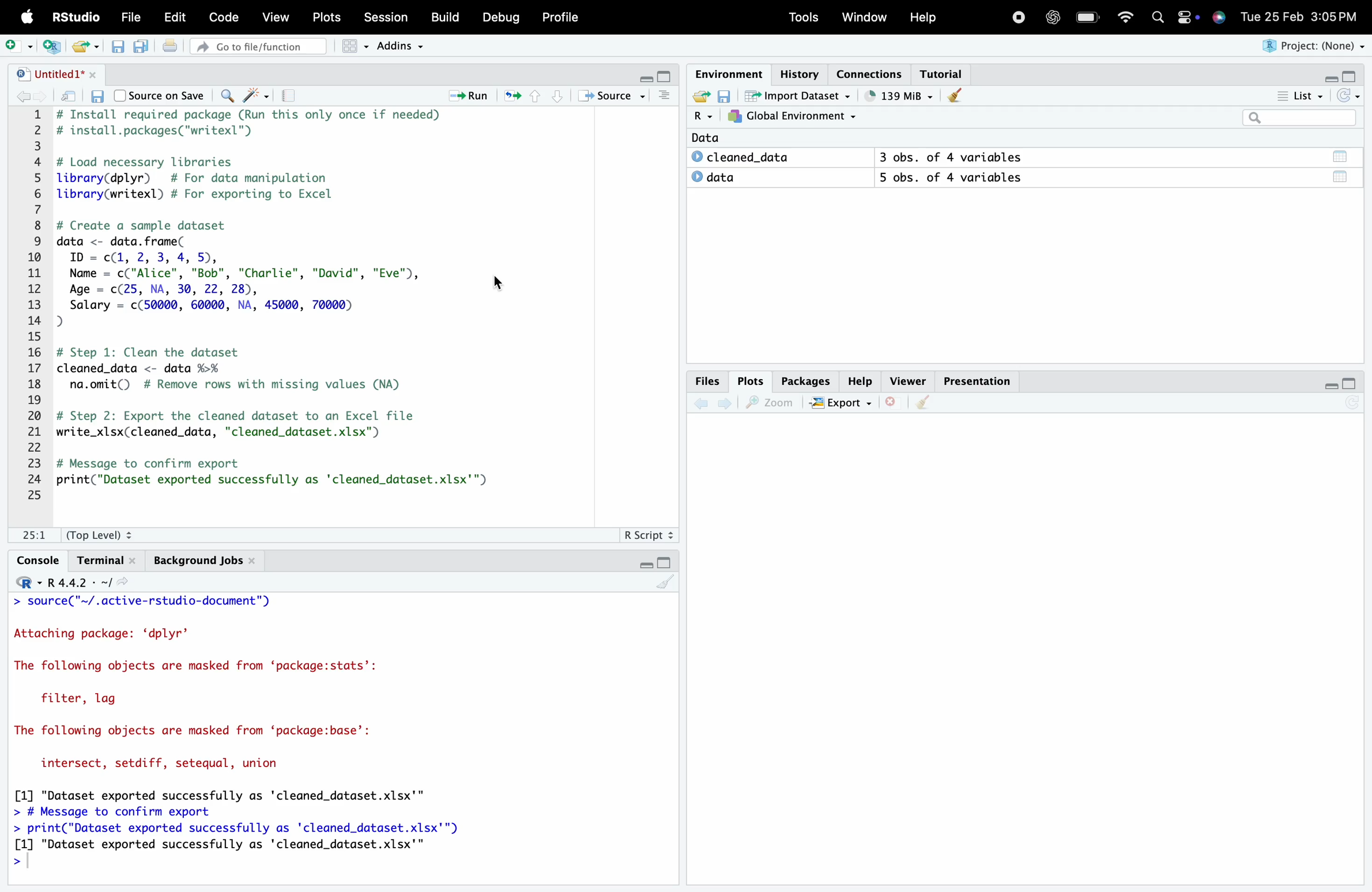 The image size is (1372, 892). What do you see at coordinates (259, 47) in the screenshot?
I see `Go to file/function` at bounding box center [259, 47].